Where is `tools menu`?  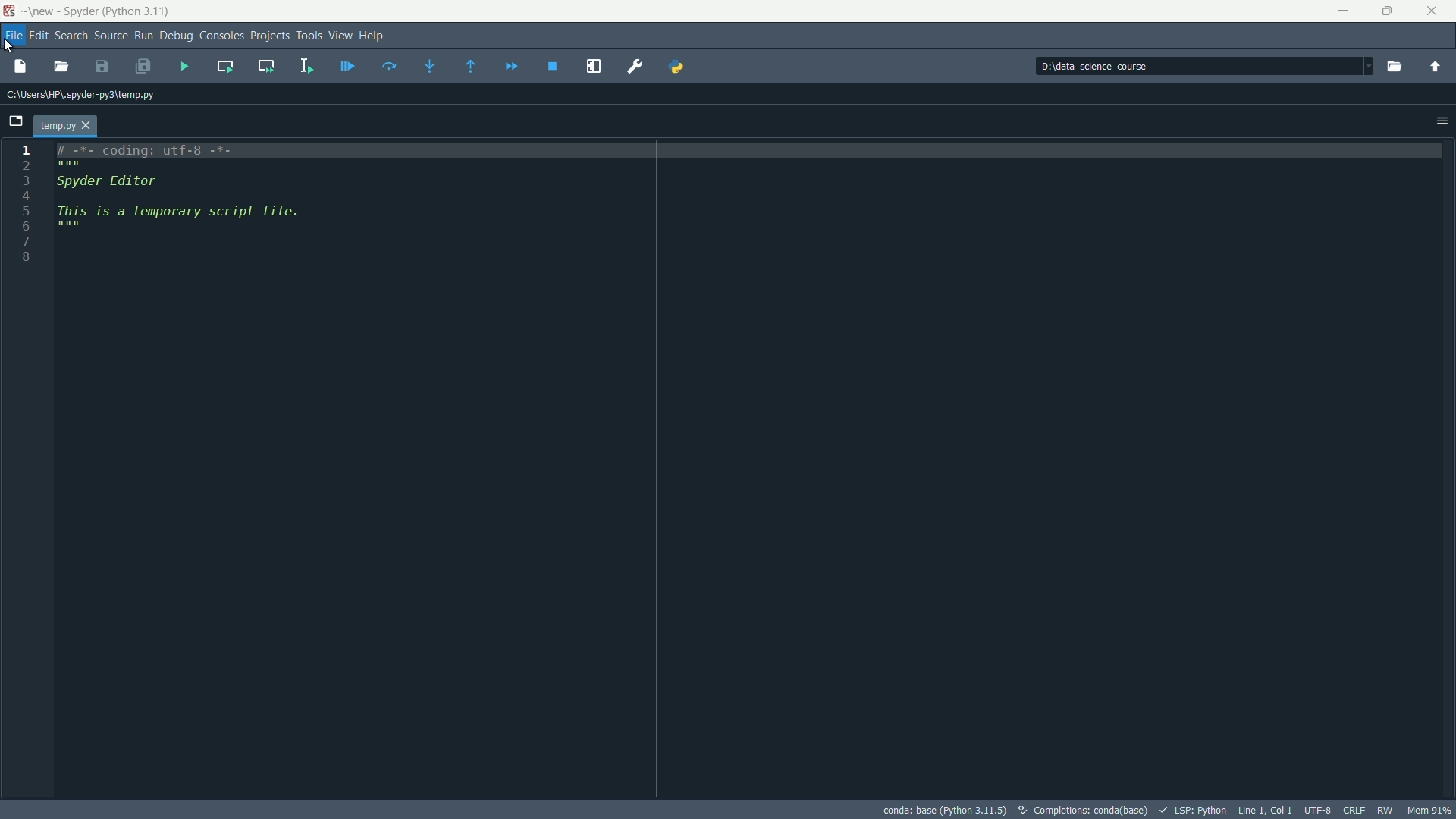
tools menu is located at coordinates (309, 36).